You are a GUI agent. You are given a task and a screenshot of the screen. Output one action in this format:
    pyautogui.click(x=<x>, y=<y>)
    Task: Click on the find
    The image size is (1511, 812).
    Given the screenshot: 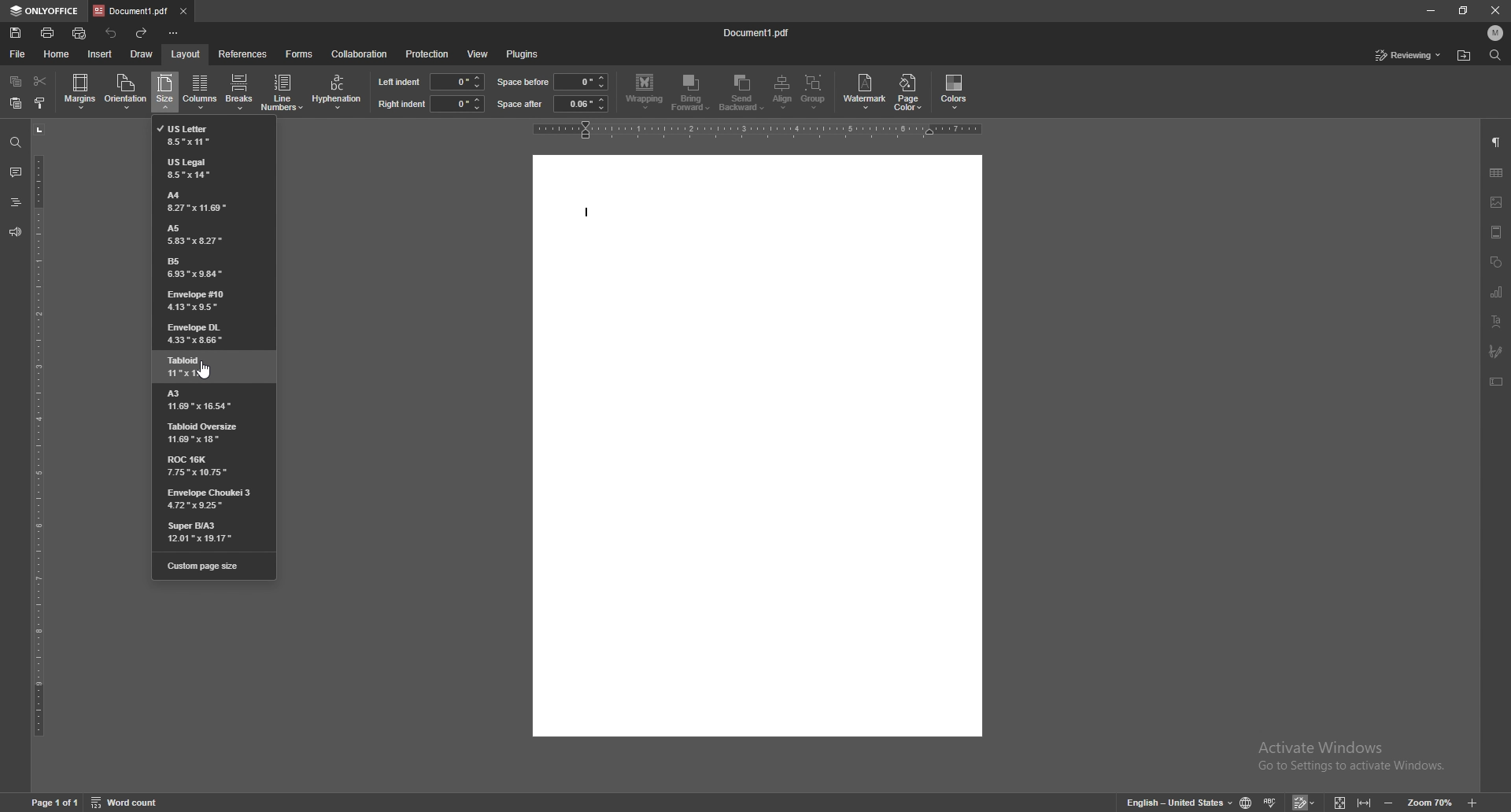 What is the action you would take?
    pyautogui.click(x=15, y=143)
    